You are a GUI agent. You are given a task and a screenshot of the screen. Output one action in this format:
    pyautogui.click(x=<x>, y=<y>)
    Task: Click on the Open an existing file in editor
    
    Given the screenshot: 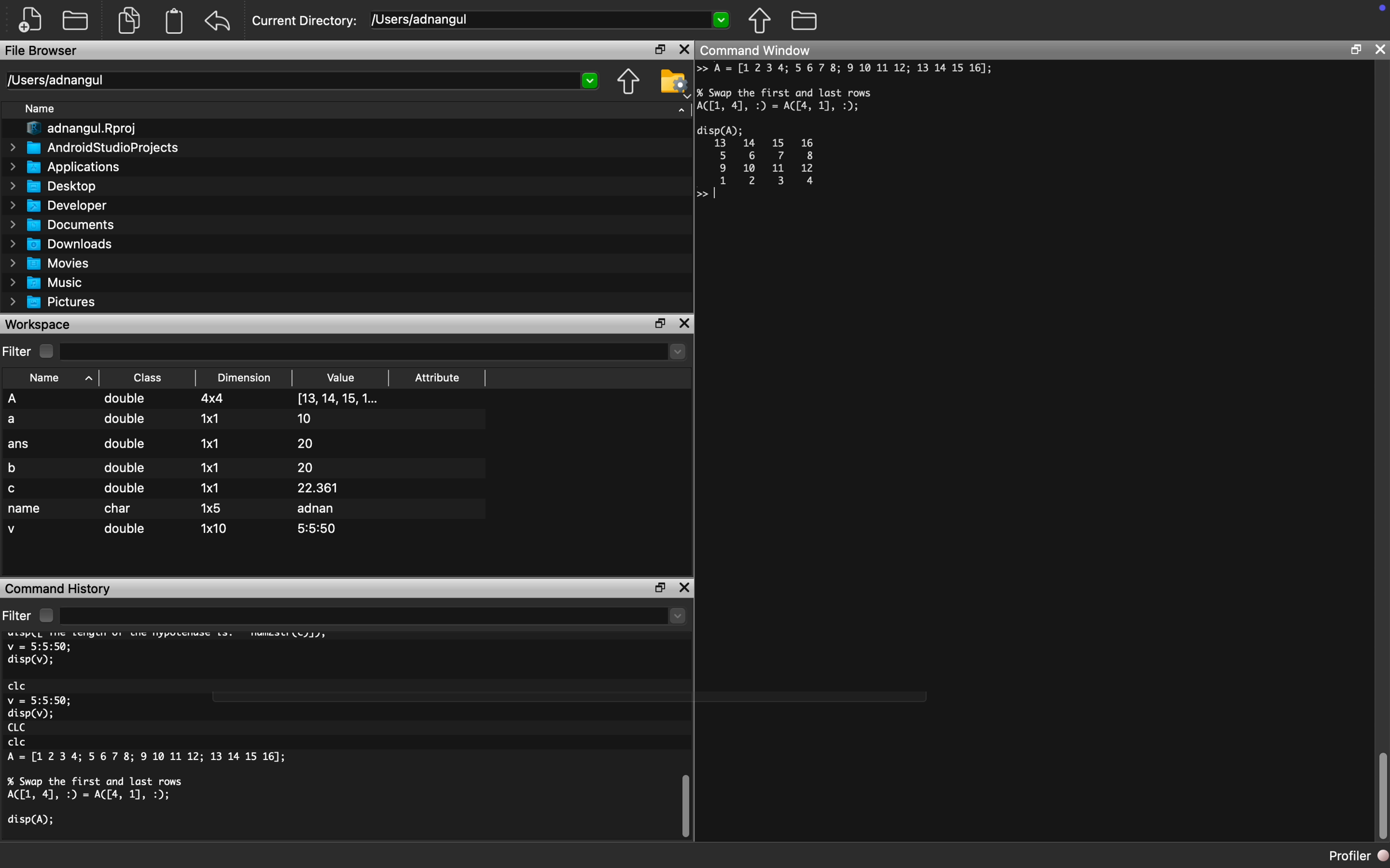 What is the action you would take?
    pyautogui.click(x=78, y=20)
    